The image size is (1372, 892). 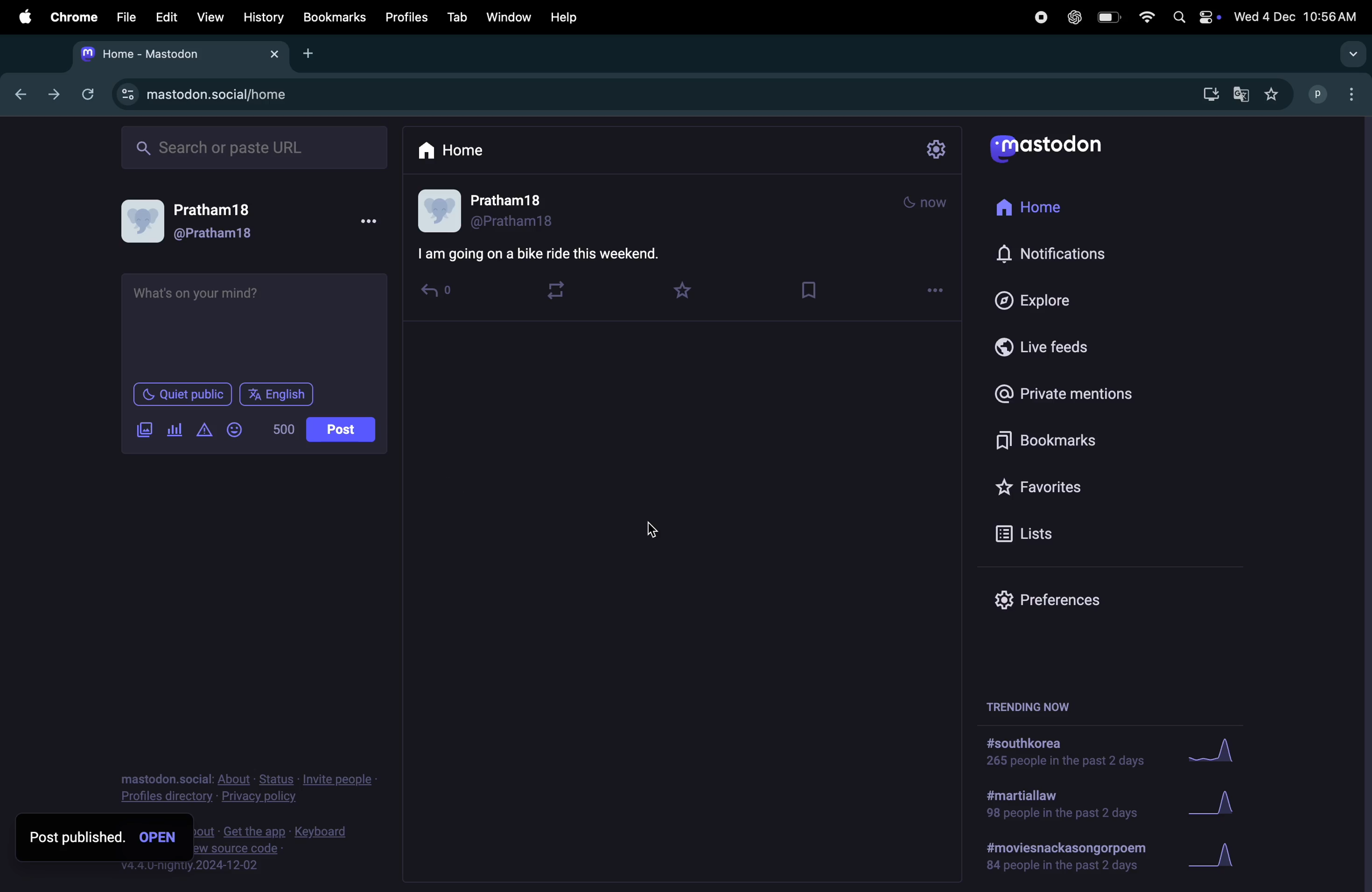 I want to click on mode, so click(x=930, y=200).